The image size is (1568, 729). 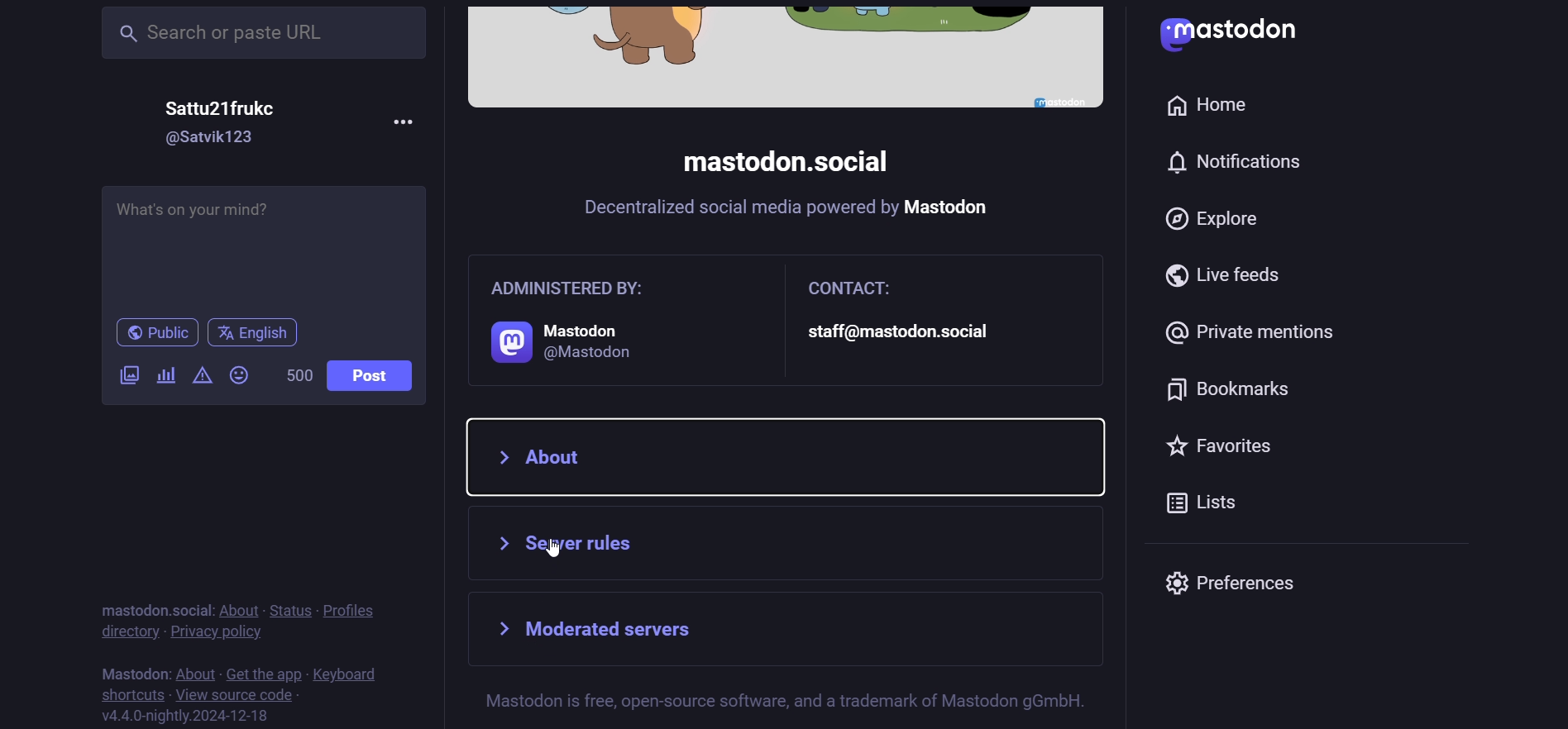 What do you see at coordinates (188, 715) in the screenshot?
I see `version` at bounding box center [188, 715].